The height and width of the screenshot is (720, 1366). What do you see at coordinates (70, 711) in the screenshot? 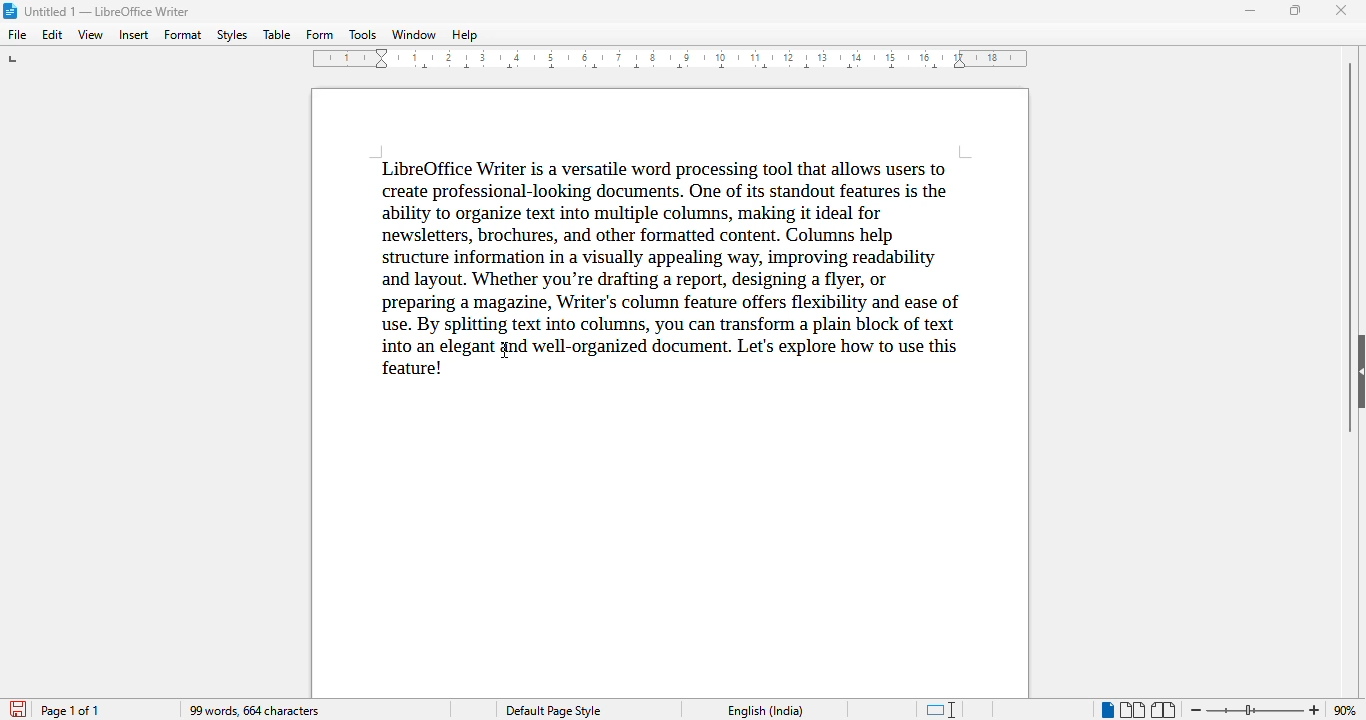
I see `page 1 of 1` at bounding box center [70, 711].